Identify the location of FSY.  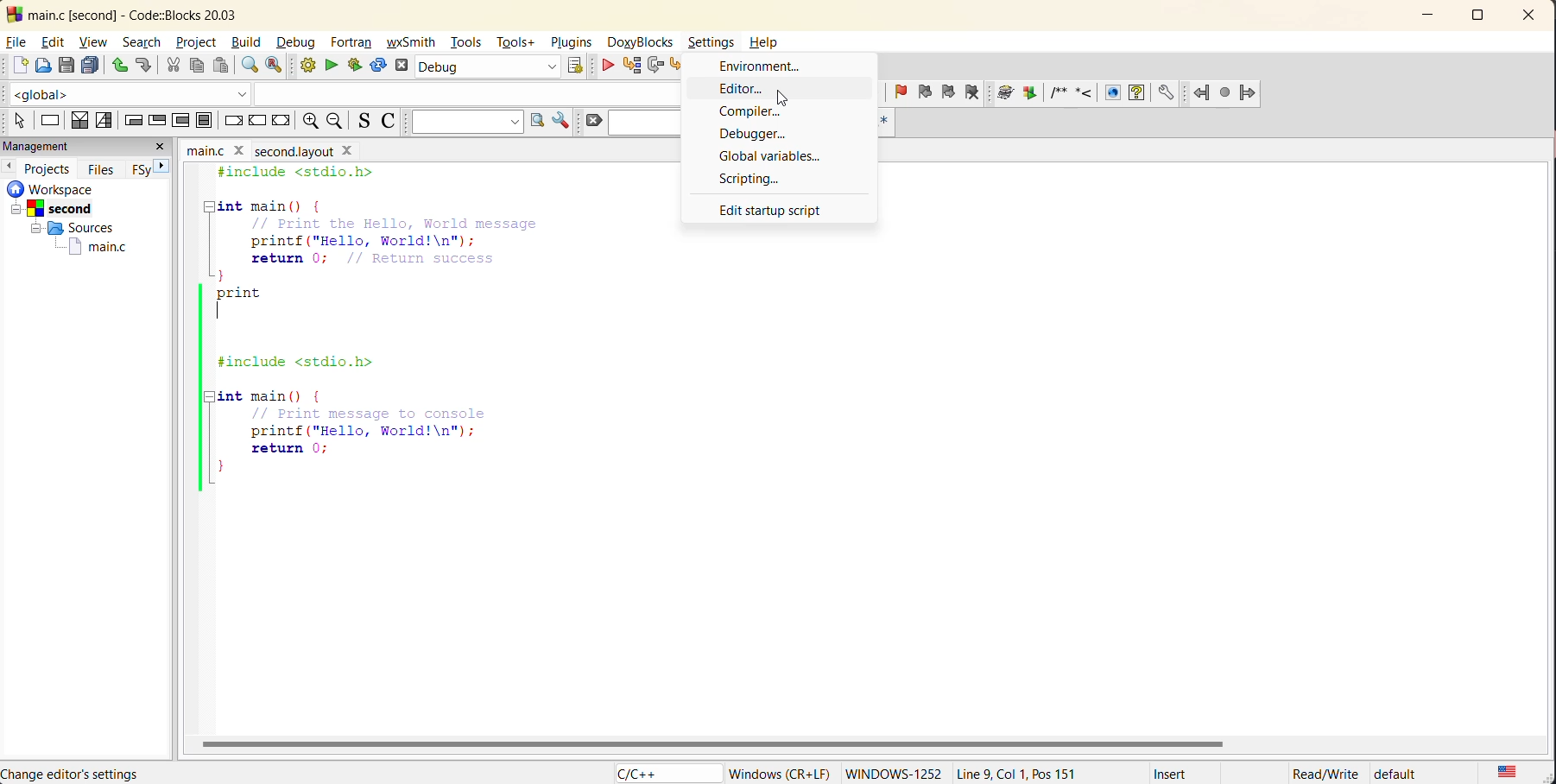
(140, 169).